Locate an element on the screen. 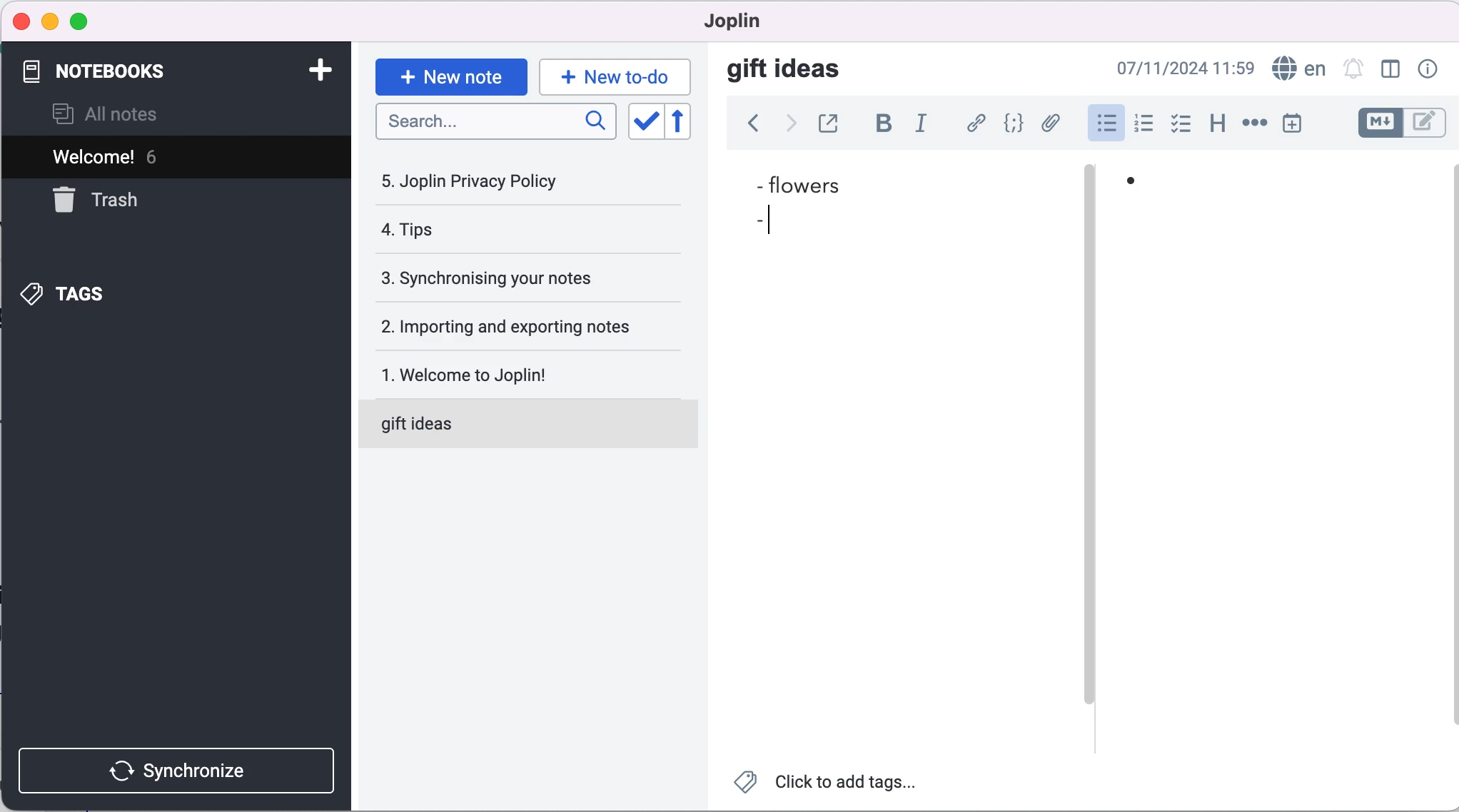  search bar is located at coordinates (493, 123).